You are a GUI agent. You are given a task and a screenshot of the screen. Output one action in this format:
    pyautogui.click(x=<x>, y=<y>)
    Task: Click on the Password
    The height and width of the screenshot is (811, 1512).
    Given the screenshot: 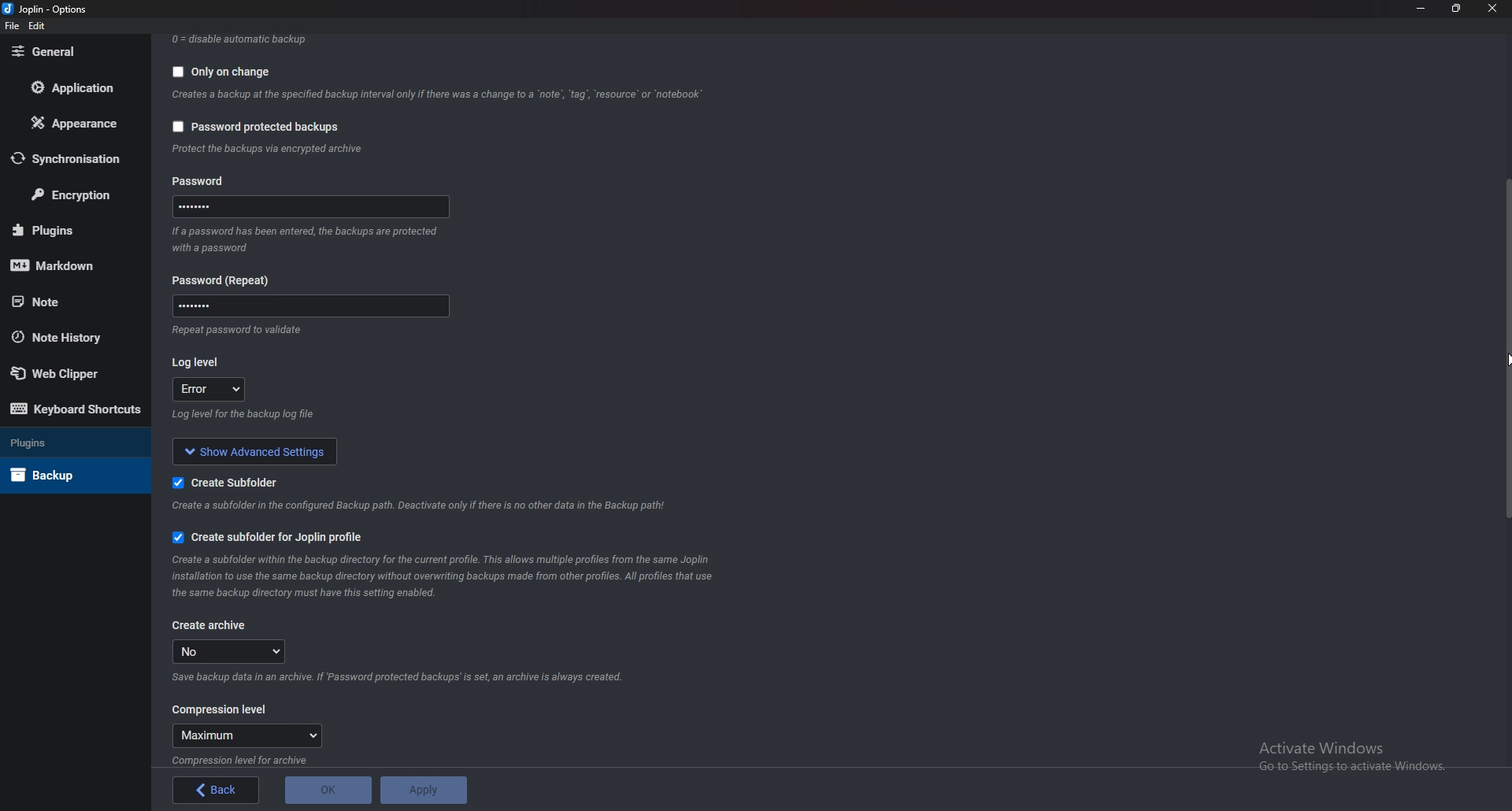 What is the action you would take?
    pyautogui.click(x=309, y=306)
    